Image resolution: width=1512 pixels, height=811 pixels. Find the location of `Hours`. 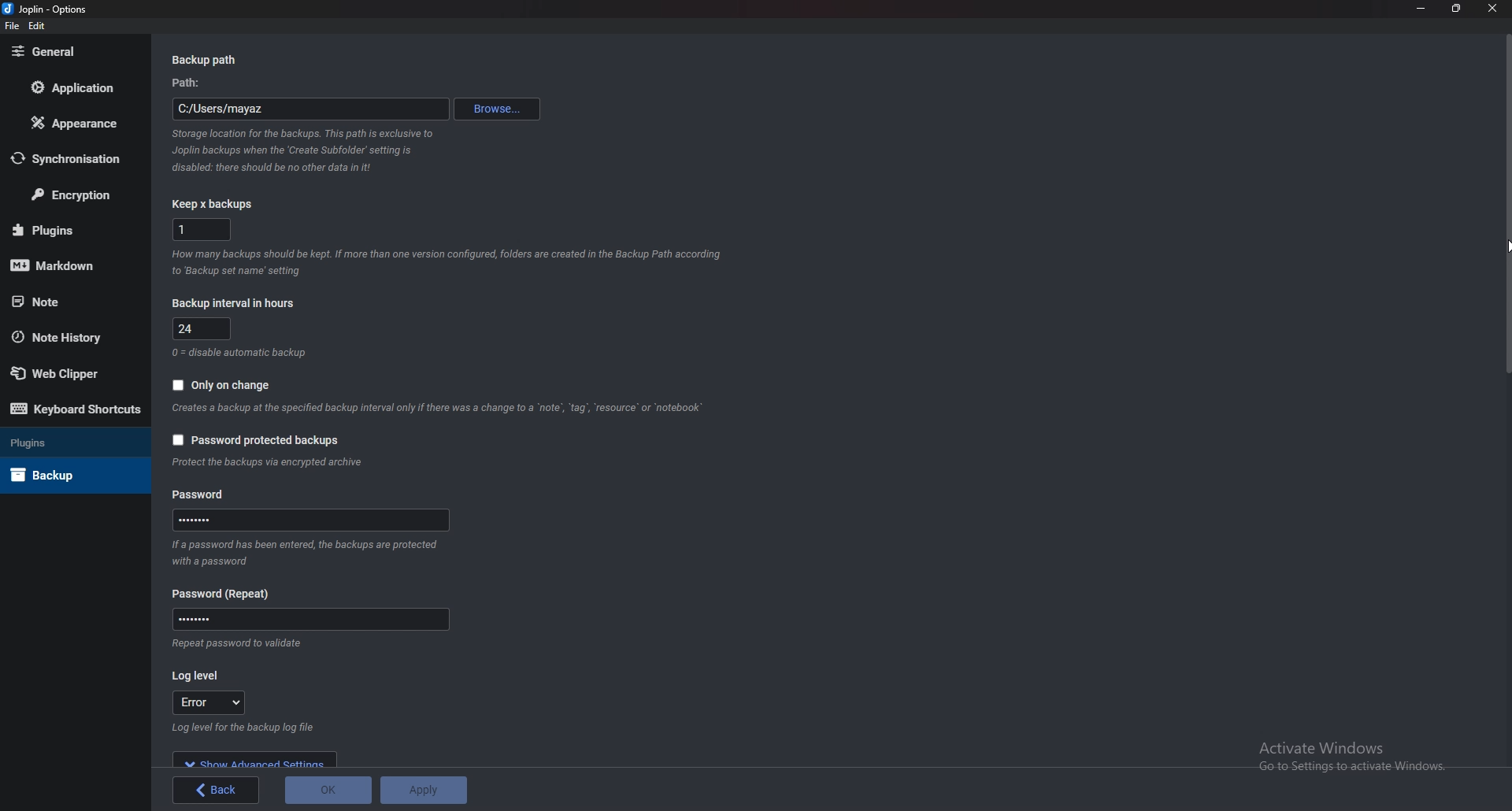

Hours is located at coordinates (205, 329).